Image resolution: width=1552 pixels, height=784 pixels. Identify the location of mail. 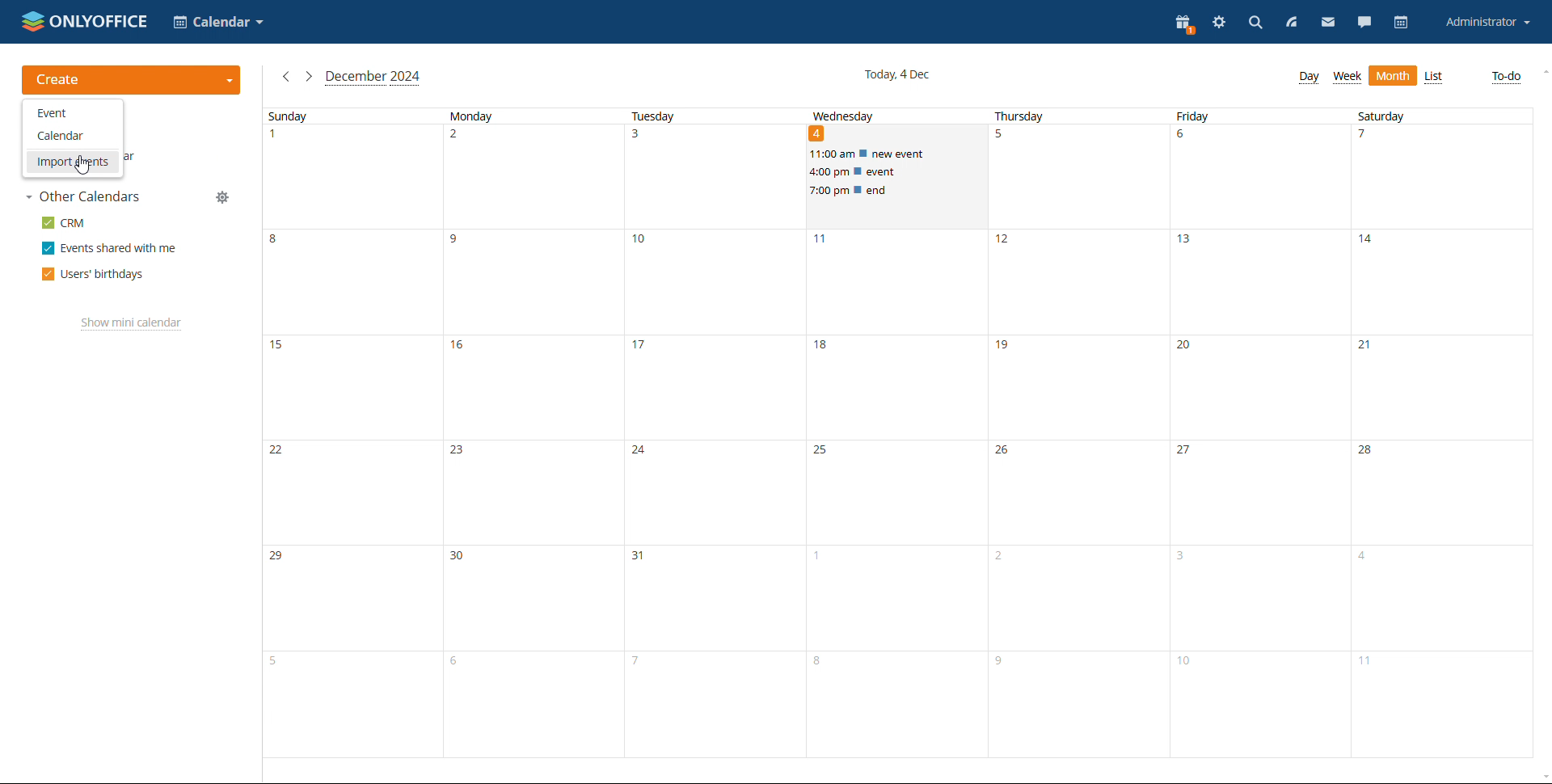
(1327, 21).